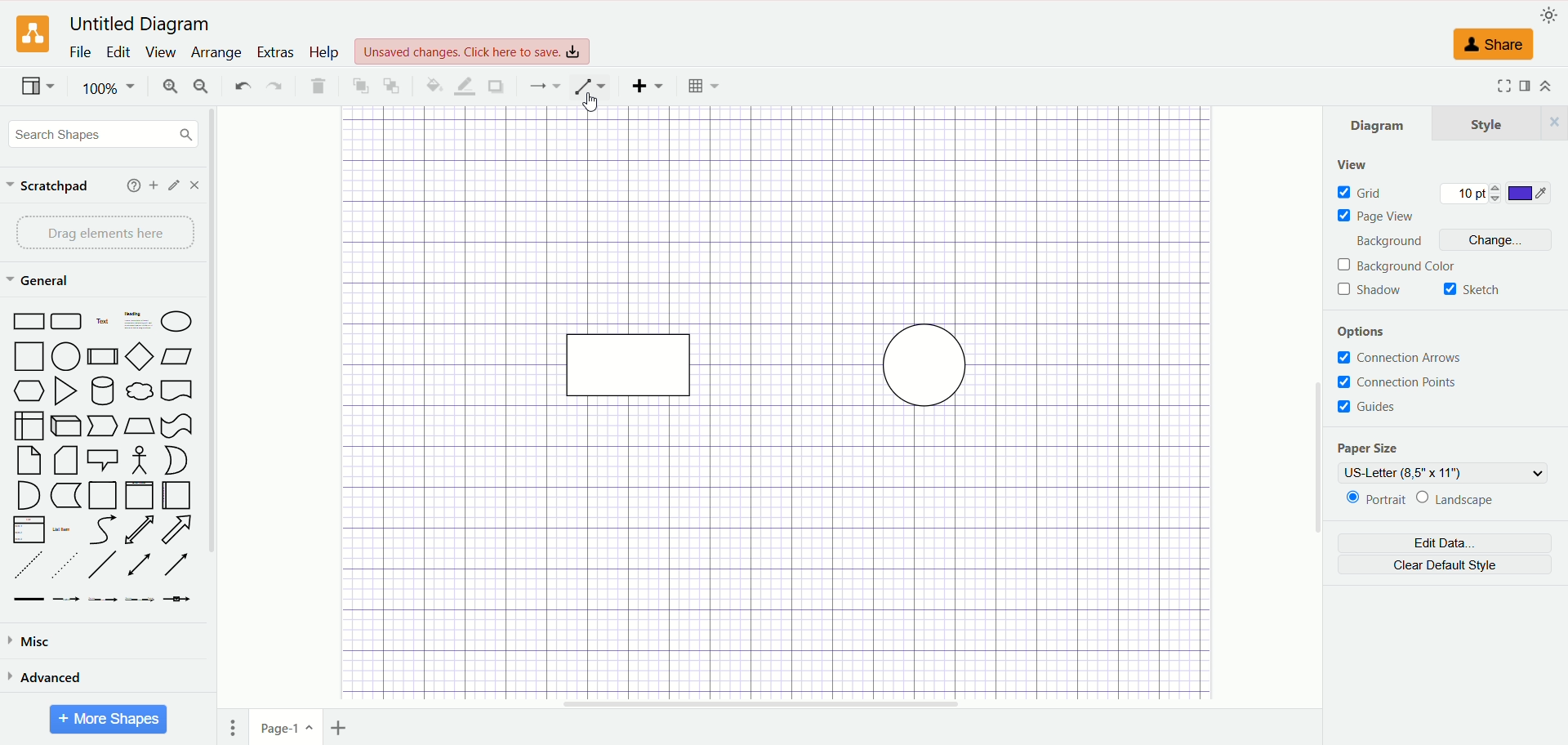 This screenshot has width=1568, height=745. I want to click on Square, so click(29, 358).